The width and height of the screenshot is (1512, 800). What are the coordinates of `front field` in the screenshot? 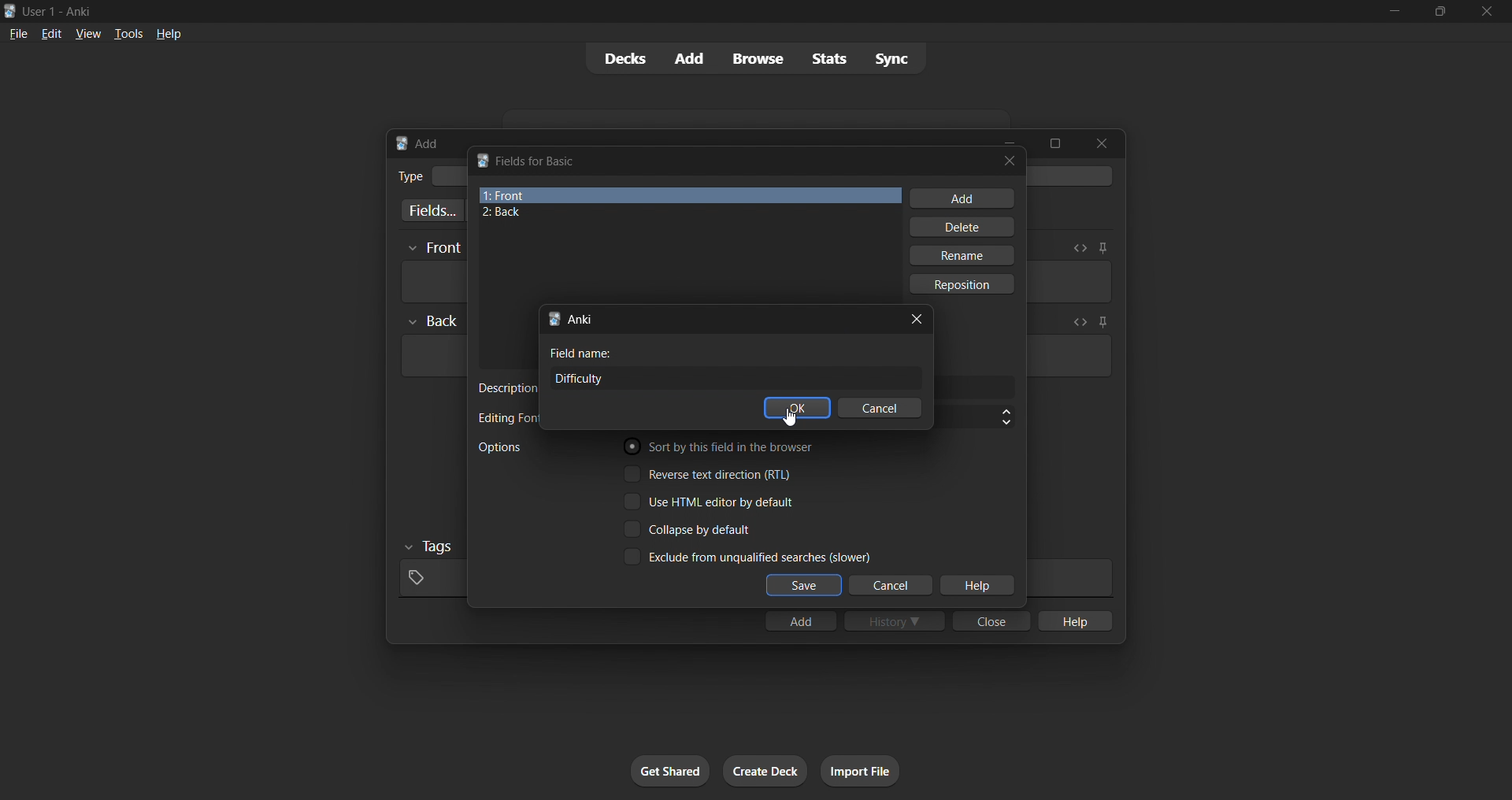 It's located at (690, 195).